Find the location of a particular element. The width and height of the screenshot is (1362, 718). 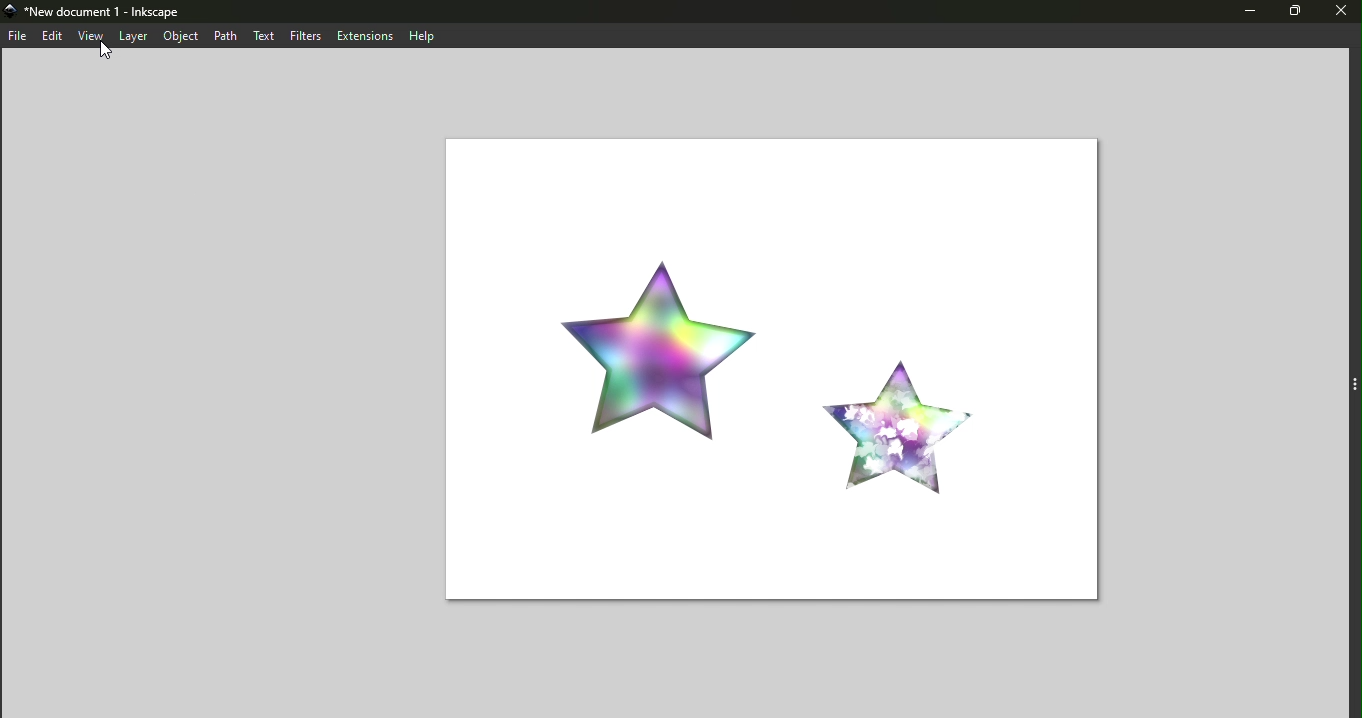

Cursor is located at coordinates (108, 55).